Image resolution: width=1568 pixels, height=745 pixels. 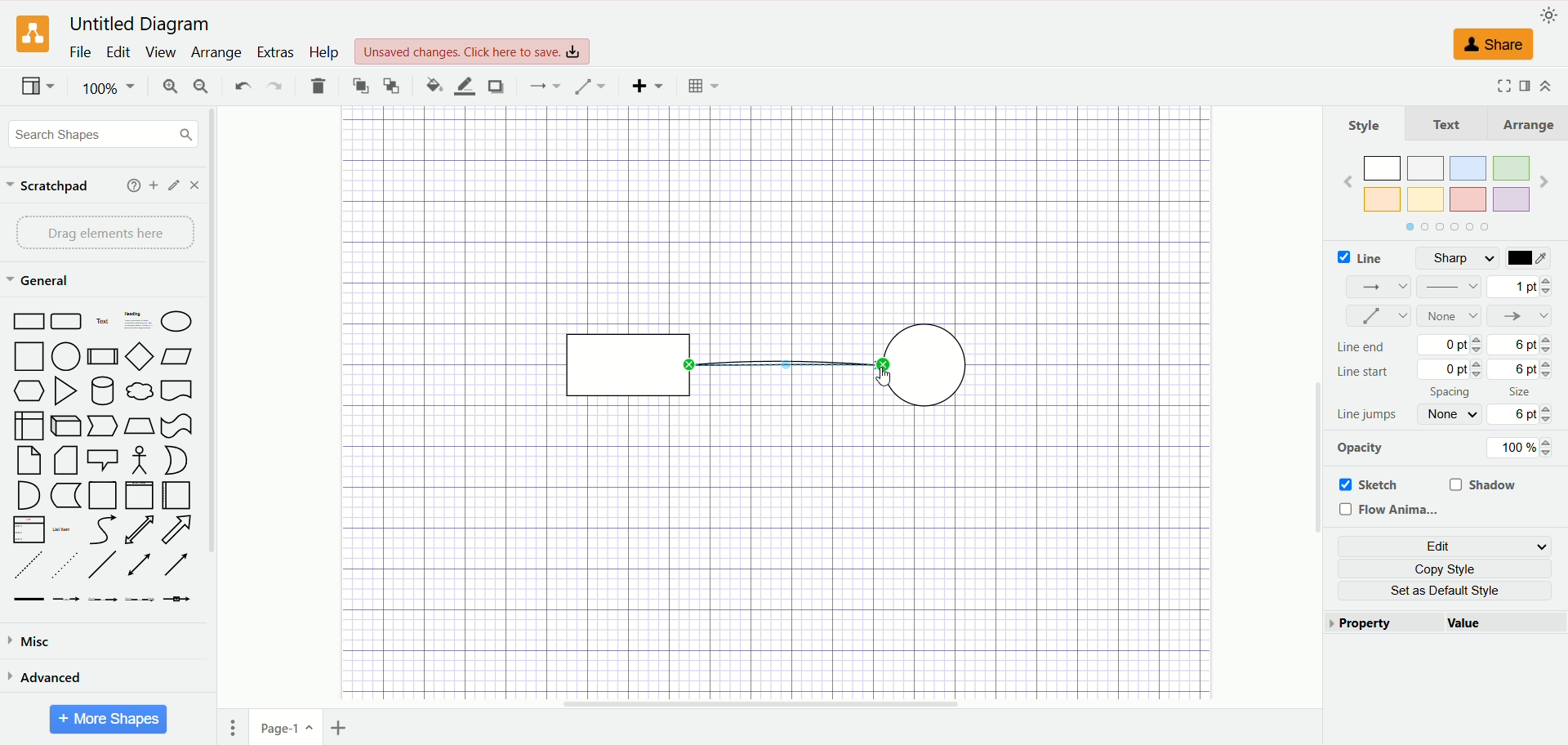 What do you see at coordinates (210, 426) in the screenshot?
I see `vertical scroll bar` at bounding box center [210, 426].